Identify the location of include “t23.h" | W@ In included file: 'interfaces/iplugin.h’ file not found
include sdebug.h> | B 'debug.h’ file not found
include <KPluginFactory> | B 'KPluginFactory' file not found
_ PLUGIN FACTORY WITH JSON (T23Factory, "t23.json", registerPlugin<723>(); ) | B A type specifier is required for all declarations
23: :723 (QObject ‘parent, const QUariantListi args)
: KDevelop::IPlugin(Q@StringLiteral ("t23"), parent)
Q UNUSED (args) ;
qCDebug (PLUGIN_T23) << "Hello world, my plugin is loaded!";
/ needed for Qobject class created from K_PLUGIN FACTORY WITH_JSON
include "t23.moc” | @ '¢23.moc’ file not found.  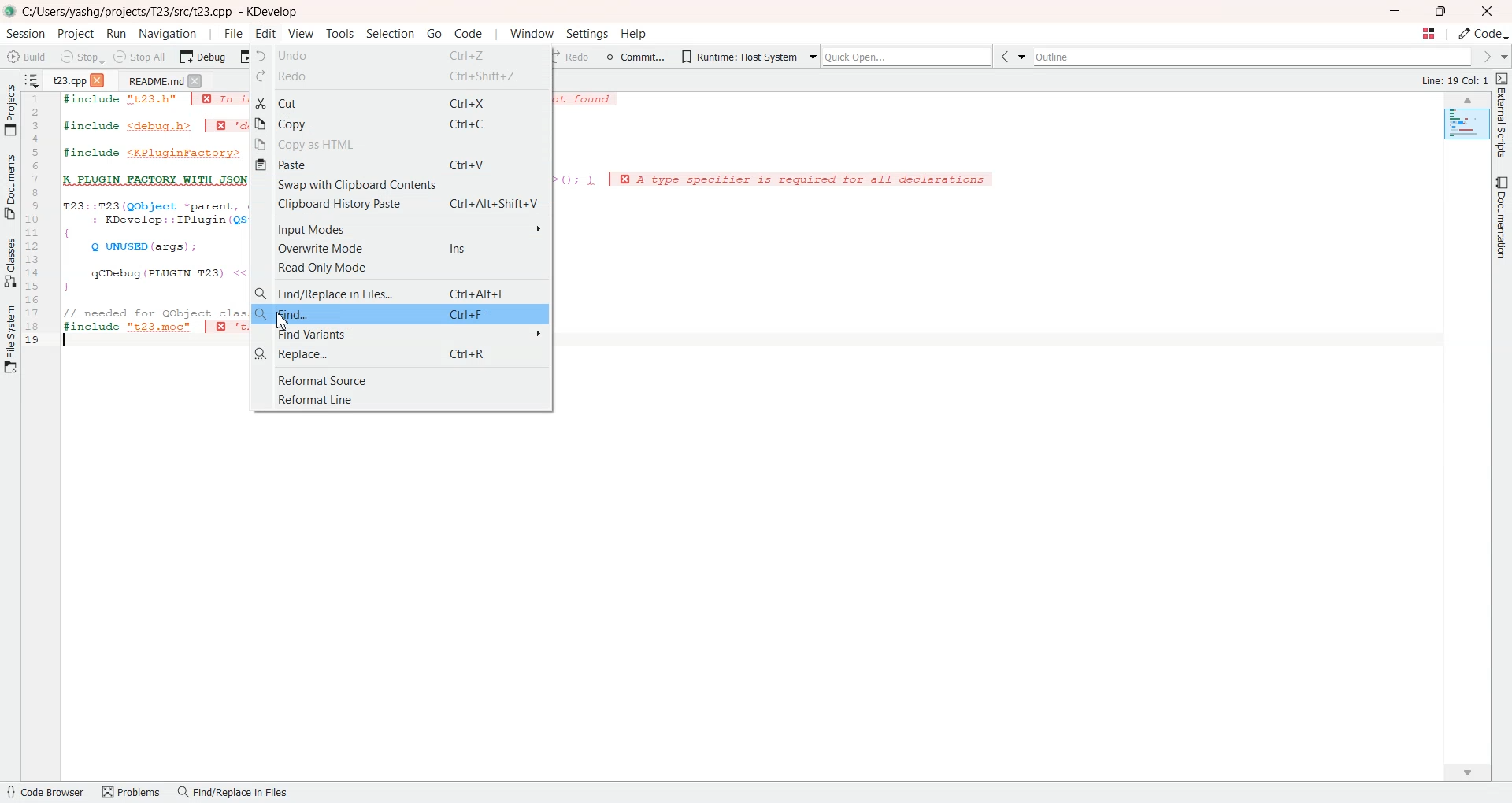
(154, 220).